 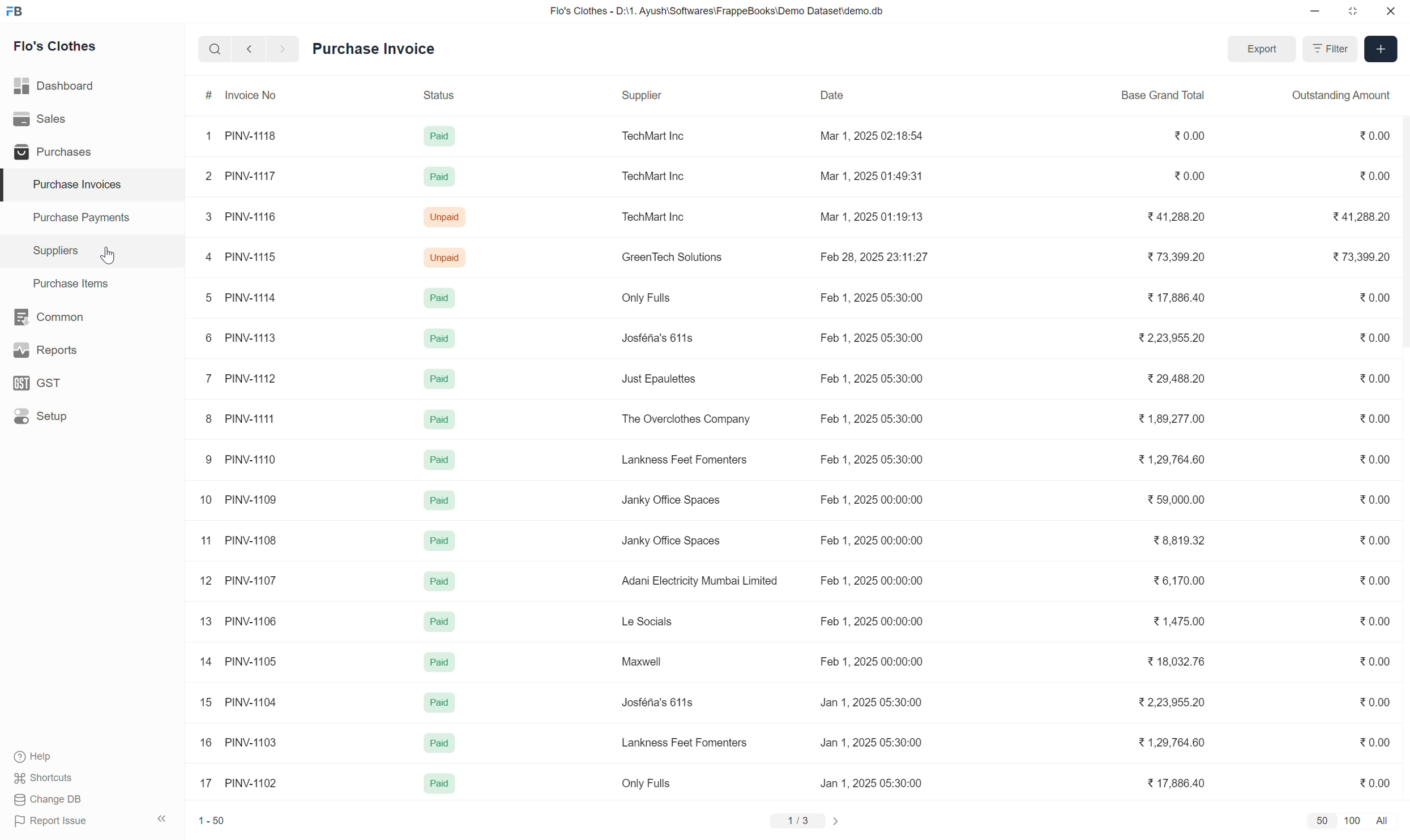 I want to click on Paid, so click(x=440, y=498).